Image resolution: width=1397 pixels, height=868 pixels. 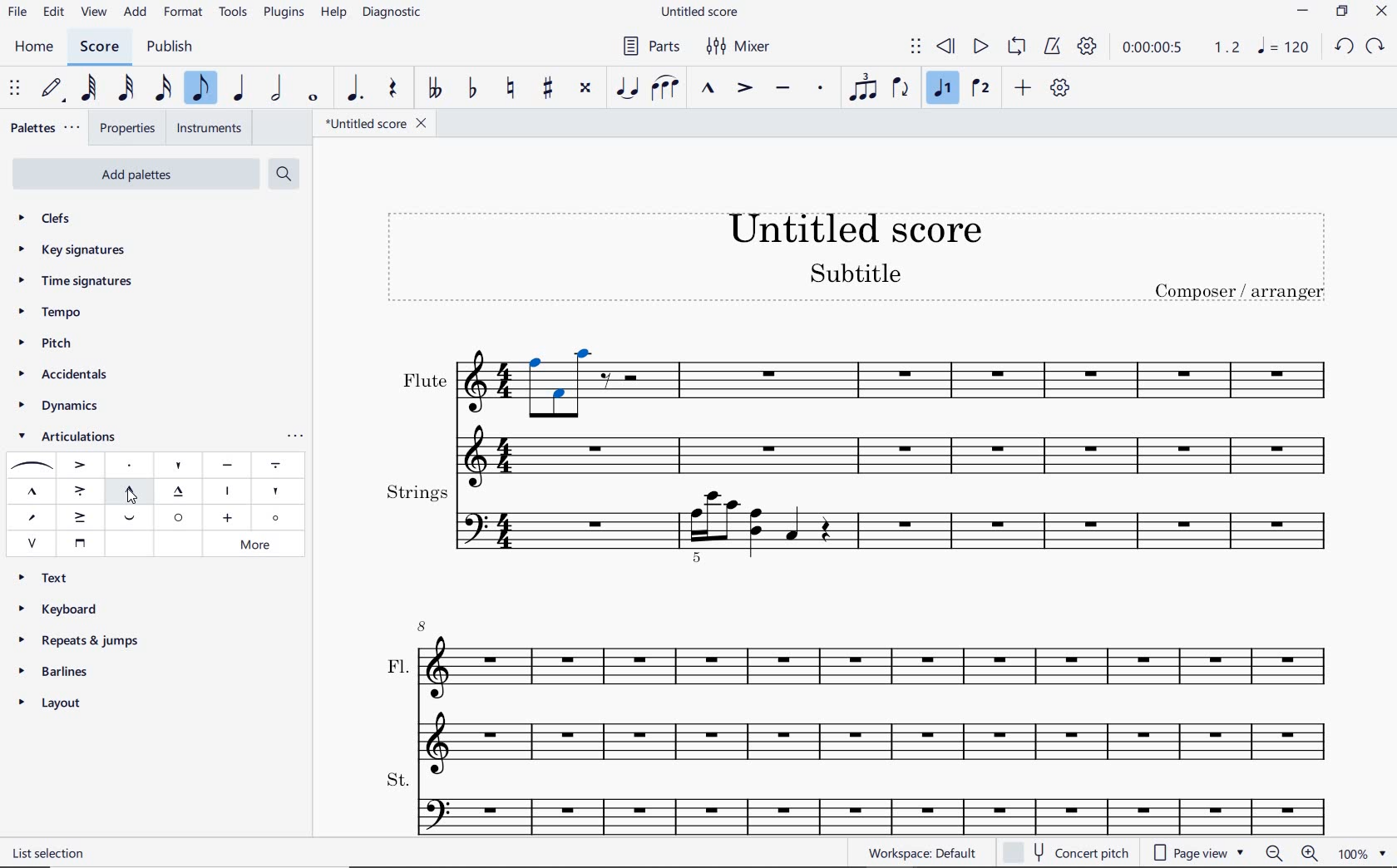 I want to click on EIGHTH NOTE, so click(x=201, y=89).